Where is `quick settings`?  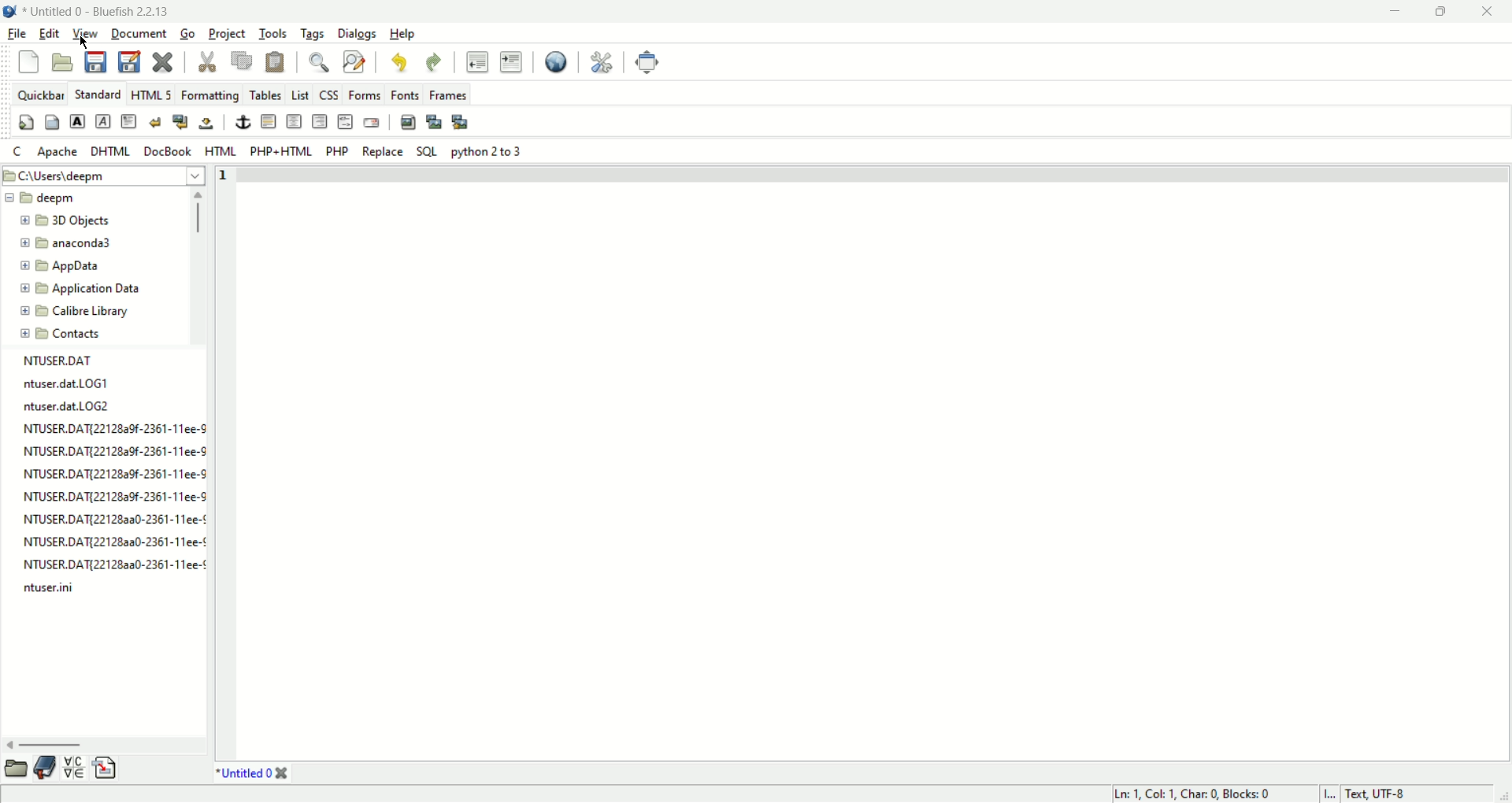
quick settings is located at coordinates (28, 122).